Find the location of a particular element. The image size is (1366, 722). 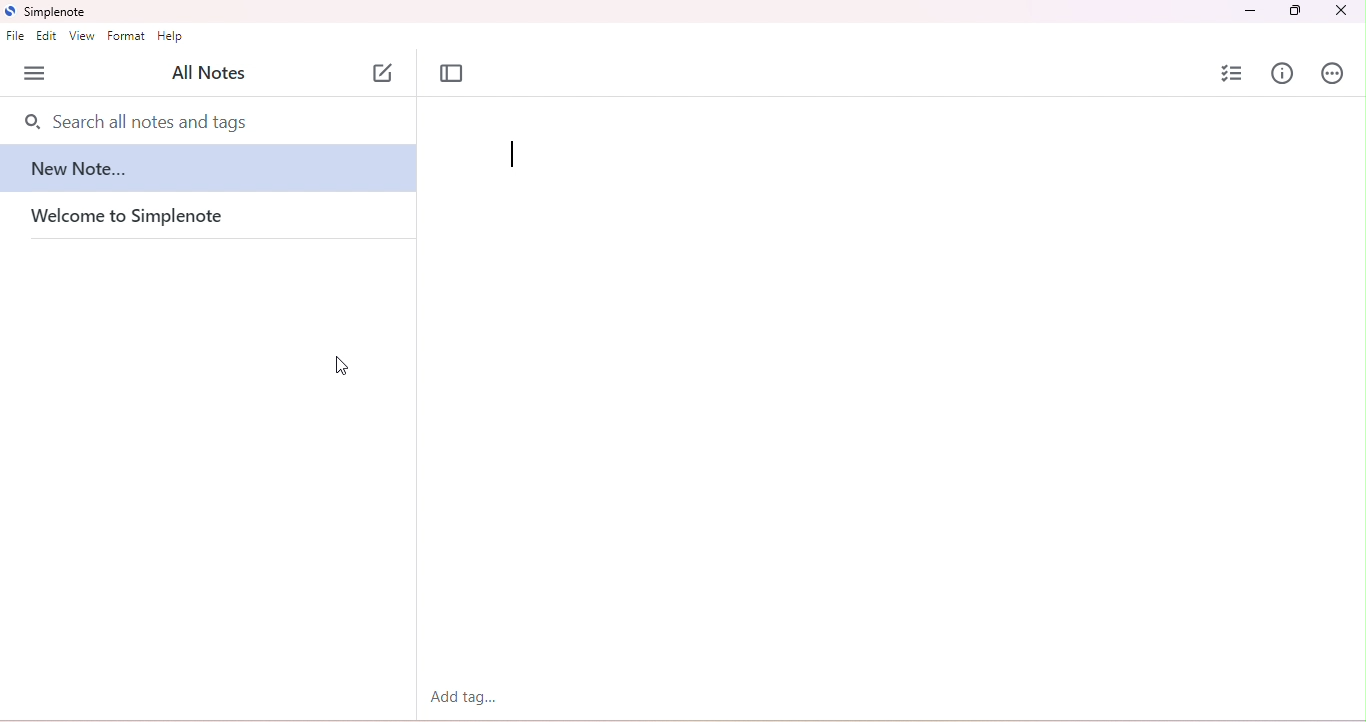

all notes is located at coordinates (208, 72).